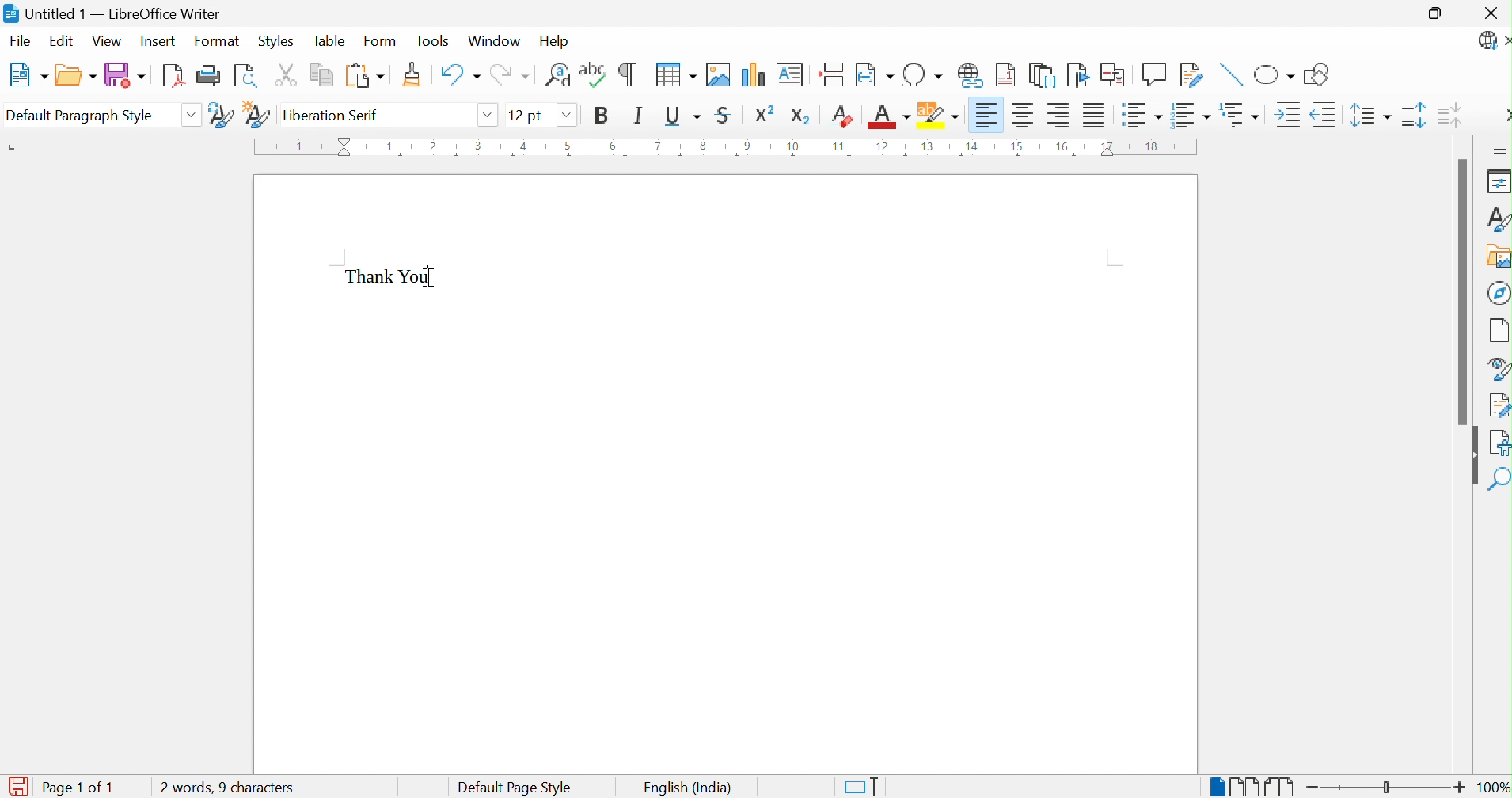 This screenshot has width=1512, height=798. What do you see at coordinates (21, 40) in the screenshot?
I see `File` at bounding box center [21, 40].